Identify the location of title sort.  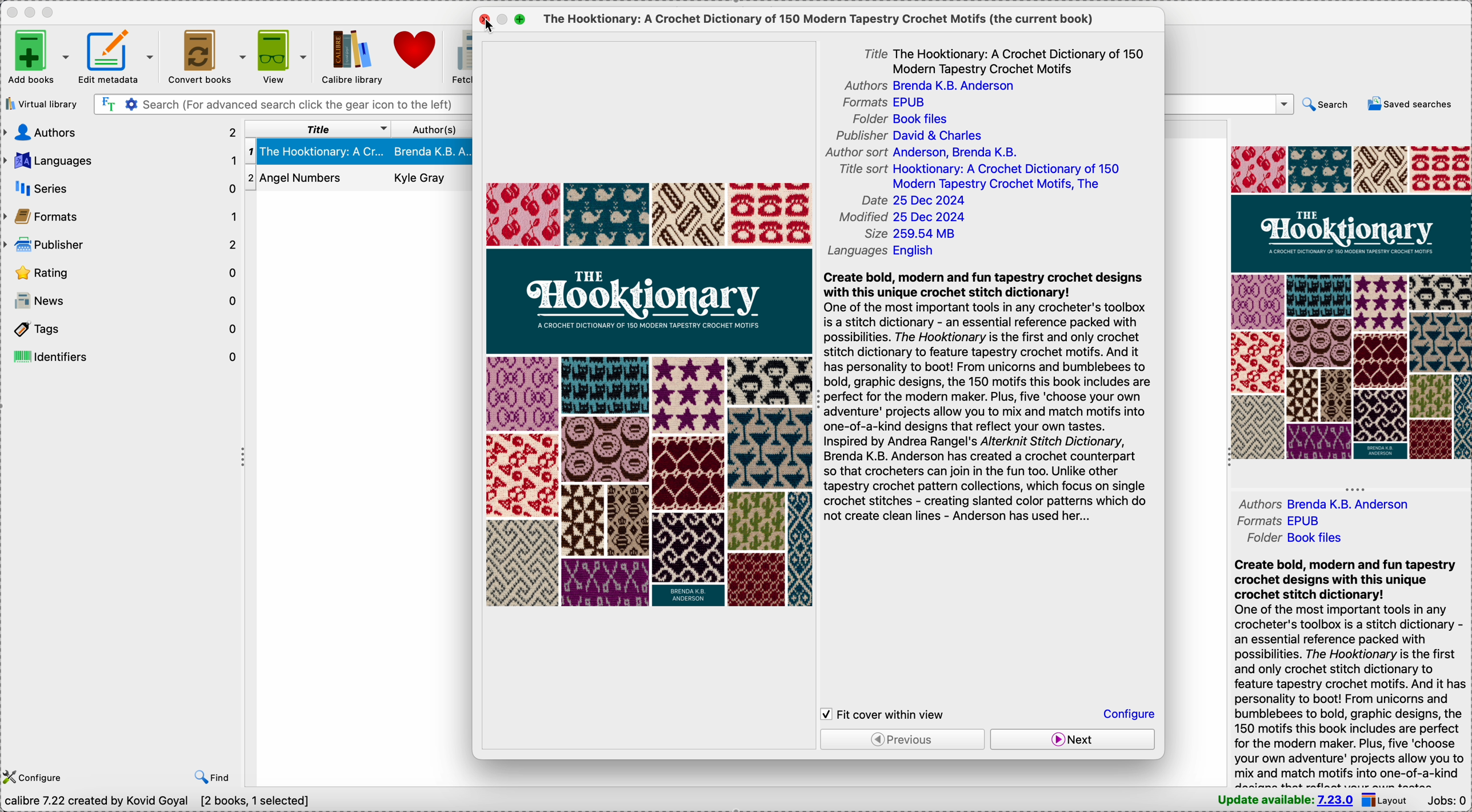
(980, 178).